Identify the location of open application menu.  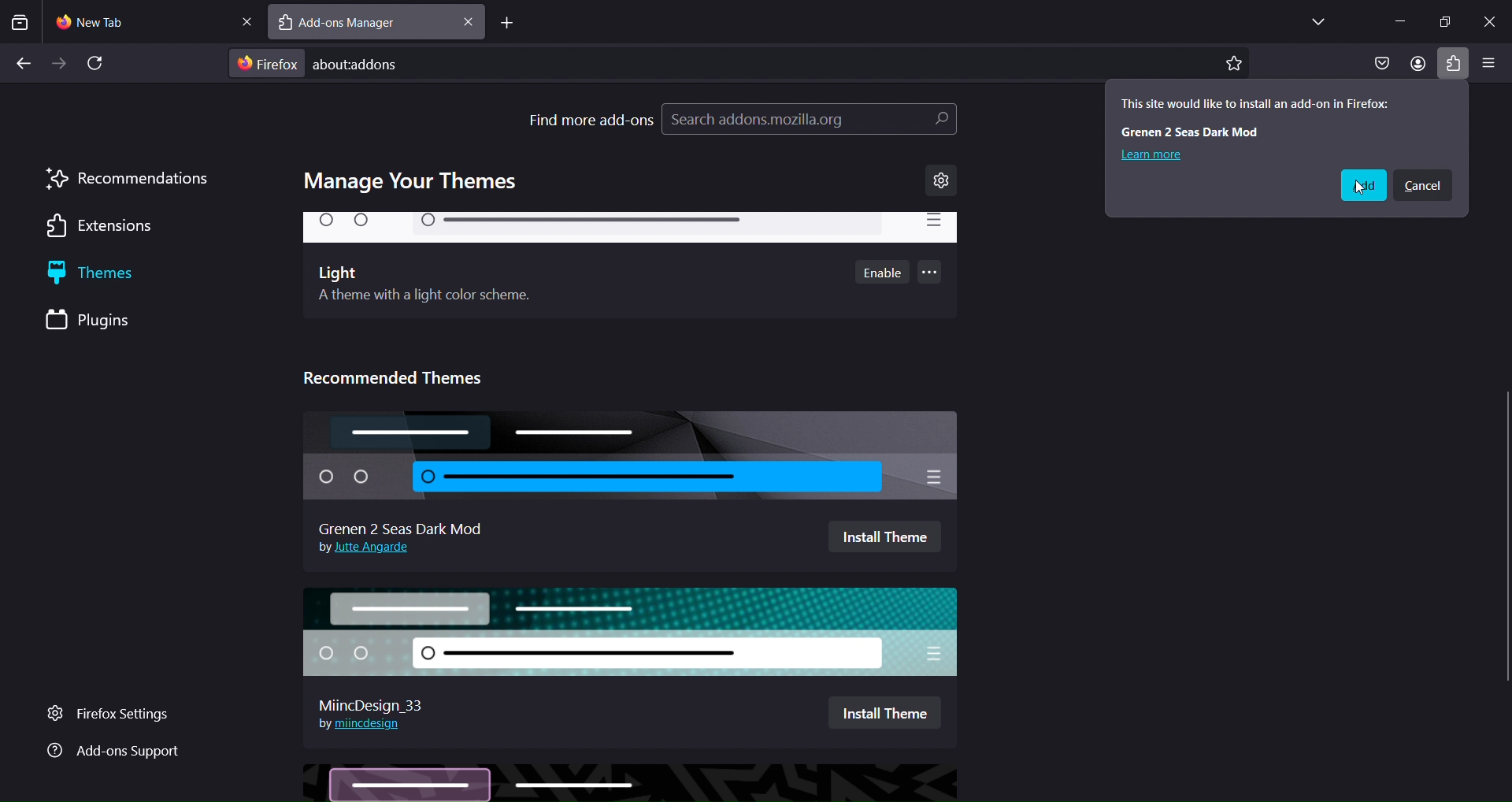
(1489, 65).